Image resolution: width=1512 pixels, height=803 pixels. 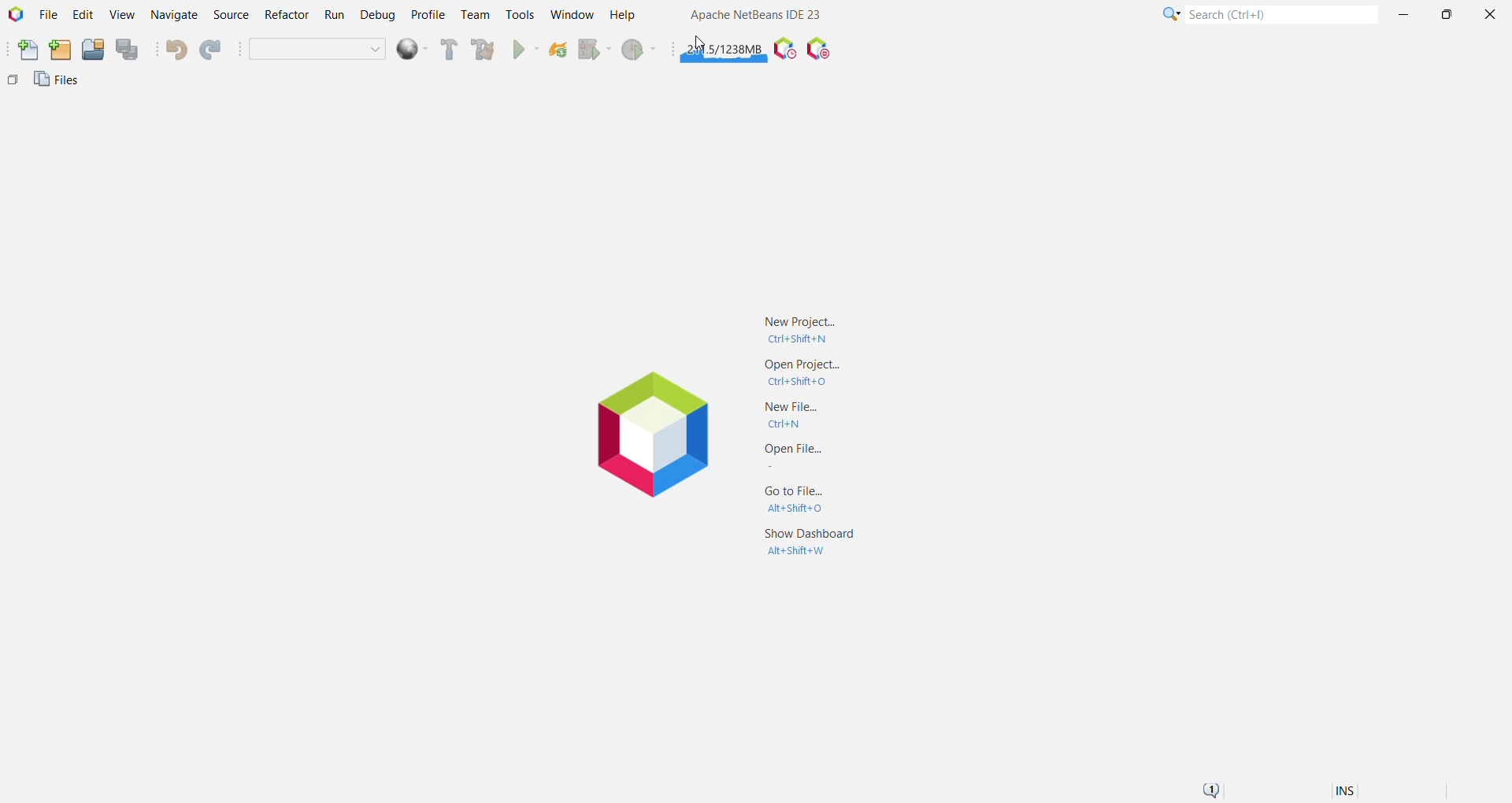 What do you see at coordinates (128, 50) in the screenshot?
I see `Save All` at bounding box center [128, 50].